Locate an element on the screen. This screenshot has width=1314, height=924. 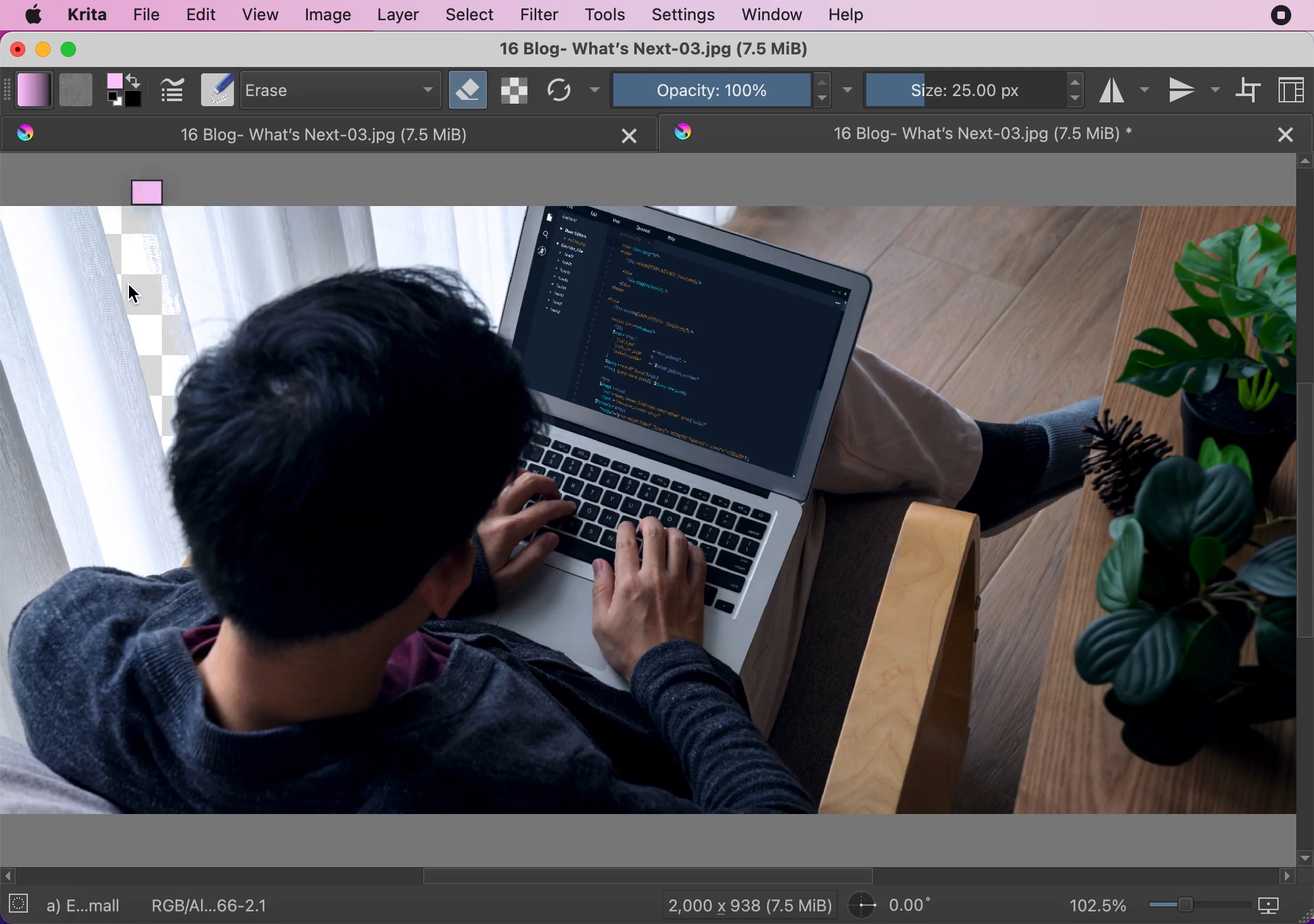
set eraser mode is located at coordinates (468, 88).